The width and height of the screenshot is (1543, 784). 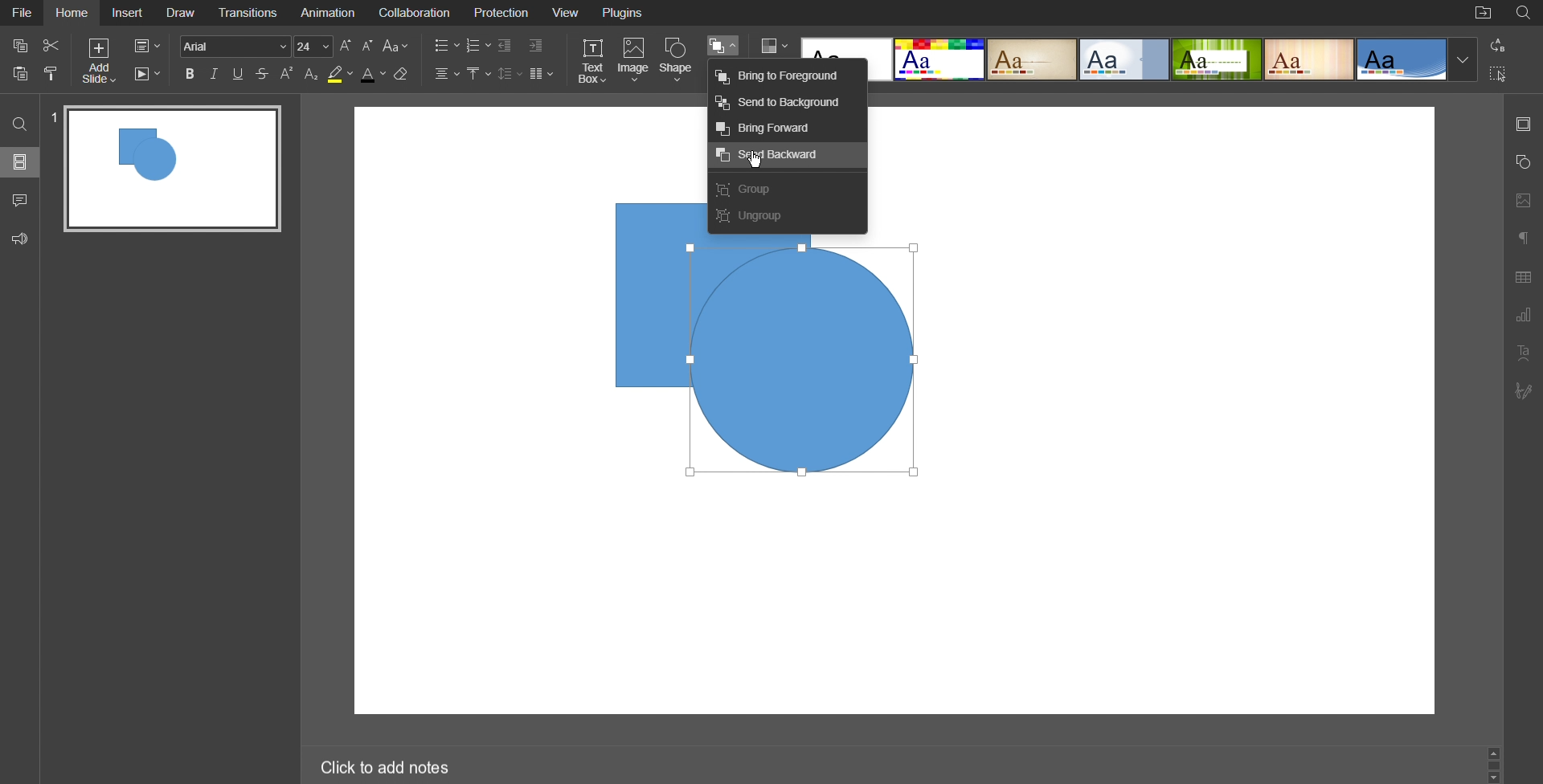 I want to click on Official, so click(x=1124, y=59).